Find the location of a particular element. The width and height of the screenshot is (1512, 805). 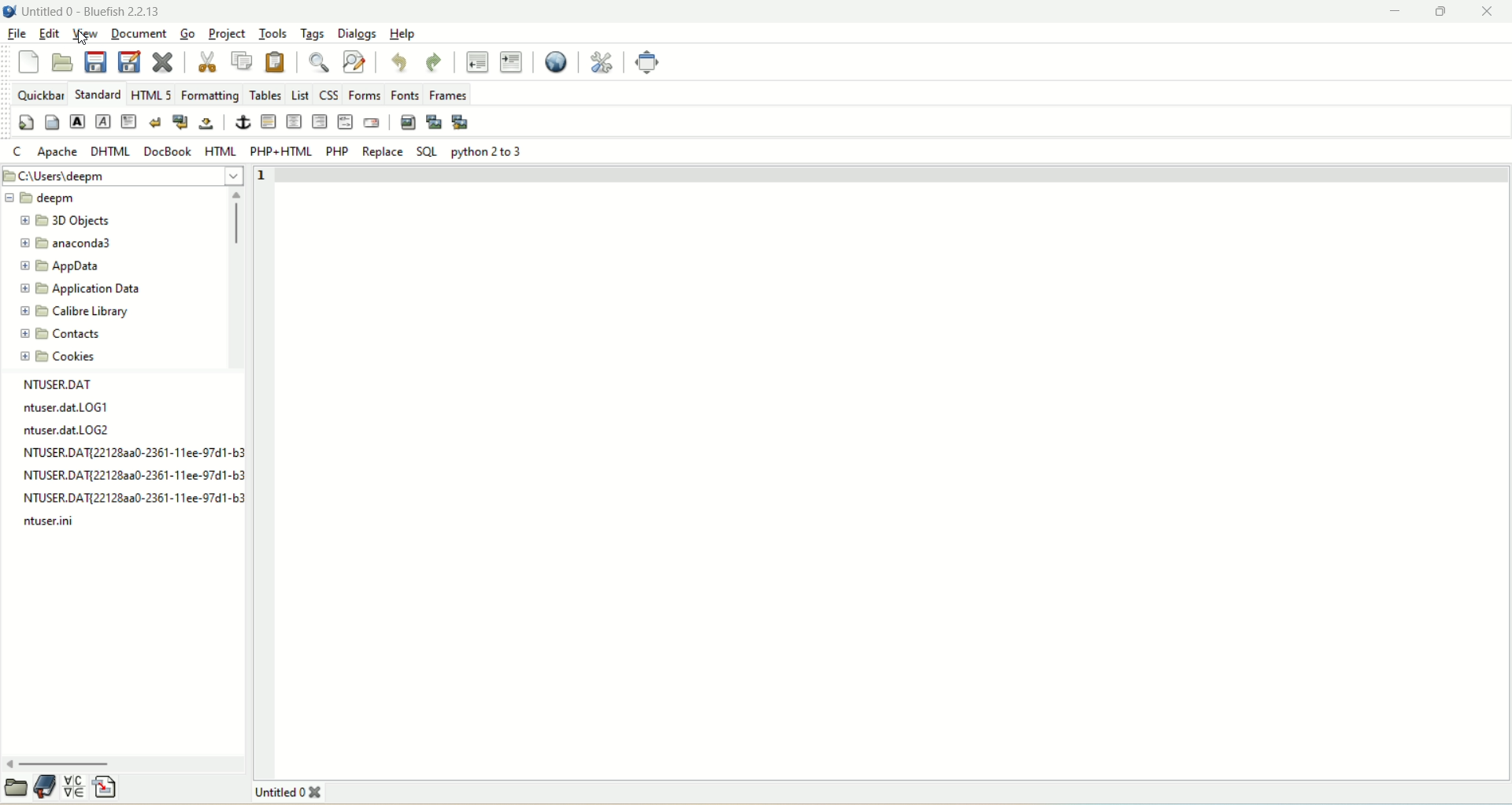

standard is located at coordinates (96, 94).